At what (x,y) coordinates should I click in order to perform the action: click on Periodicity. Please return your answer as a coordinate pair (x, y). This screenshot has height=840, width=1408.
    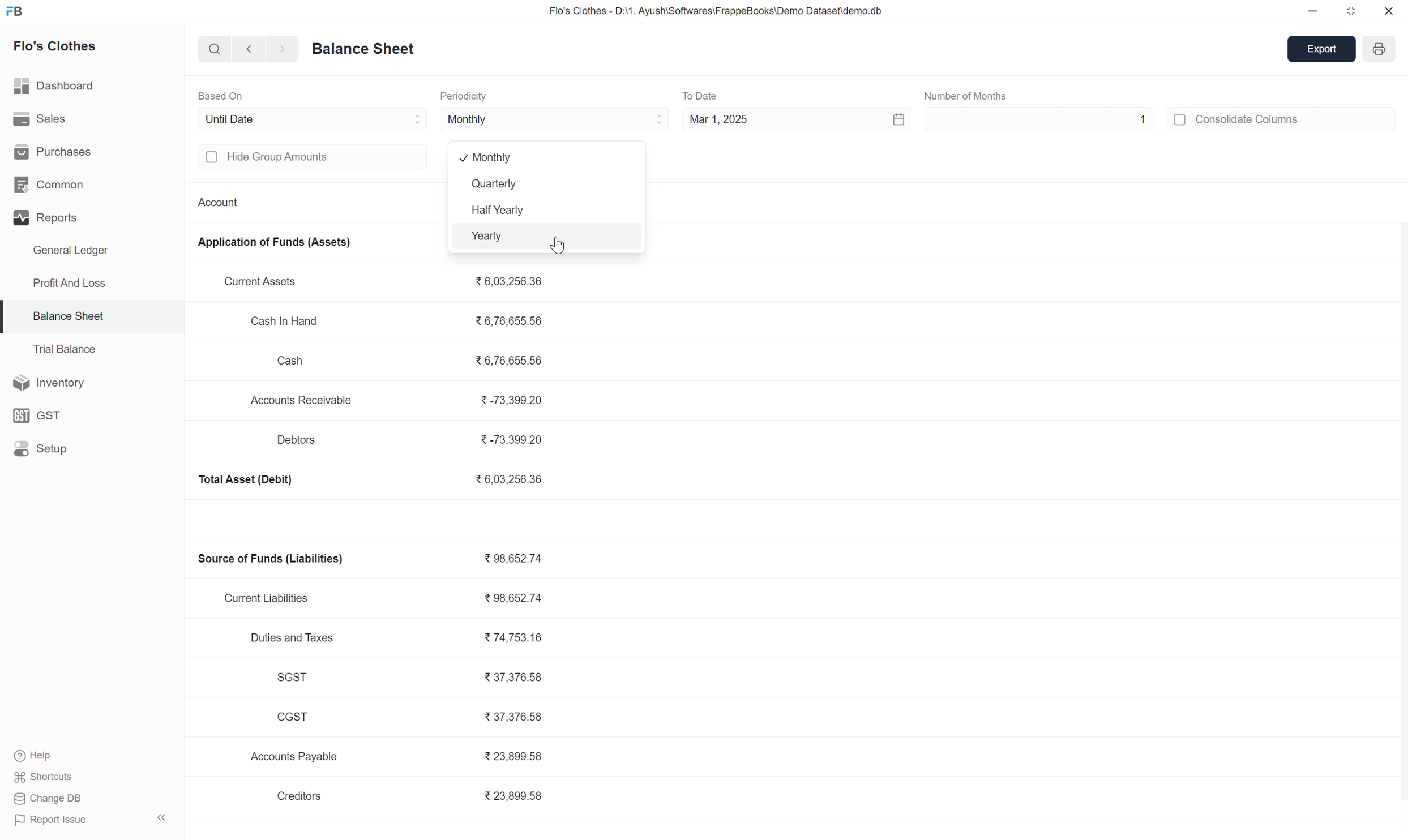
    Looking at the image, I should click on (469, 96).